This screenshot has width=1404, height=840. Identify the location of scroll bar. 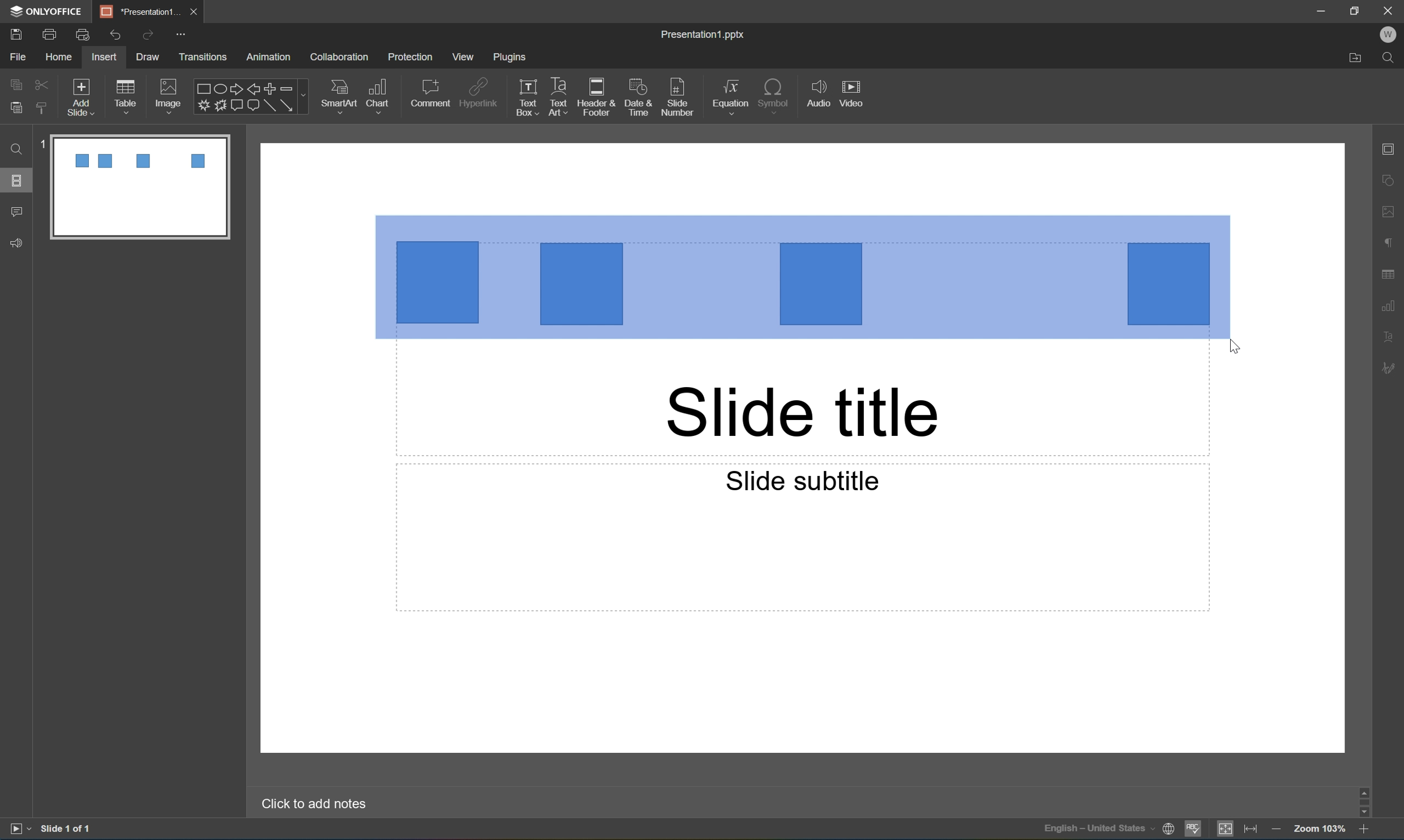
(1367, 801).